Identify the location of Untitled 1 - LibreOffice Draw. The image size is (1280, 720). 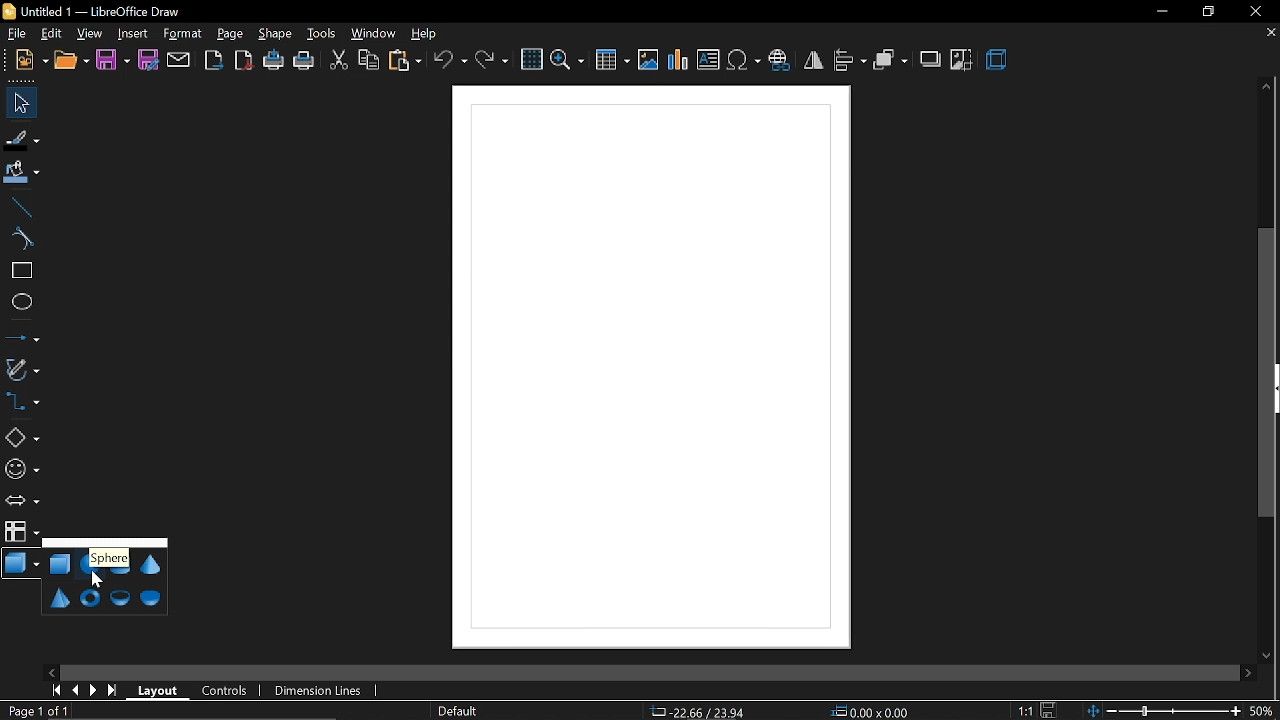
(91, 9).